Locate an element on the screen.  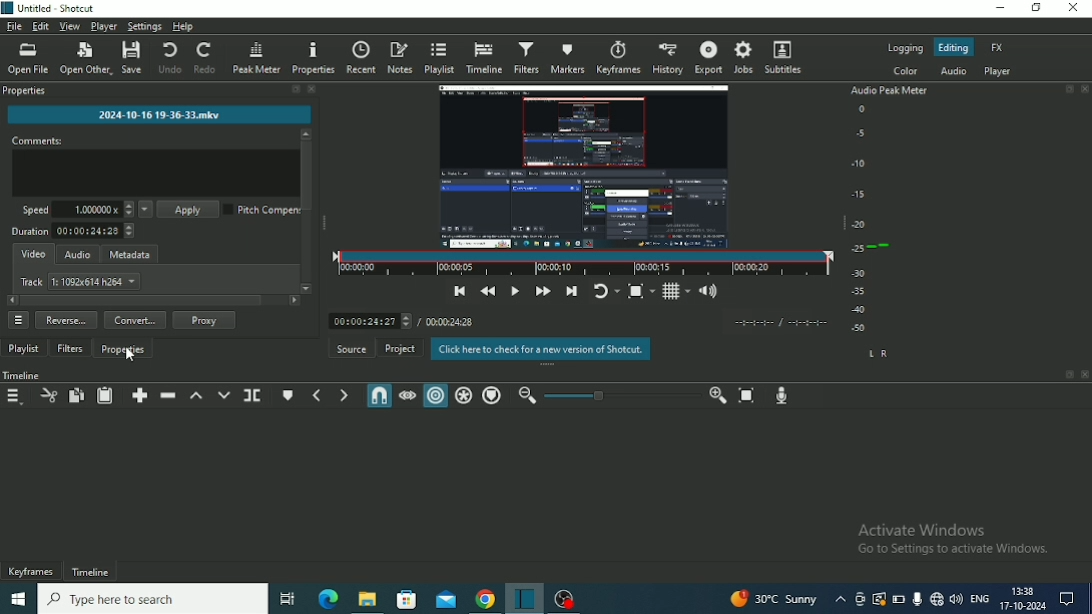
Title is located at coordinates (49, 8).